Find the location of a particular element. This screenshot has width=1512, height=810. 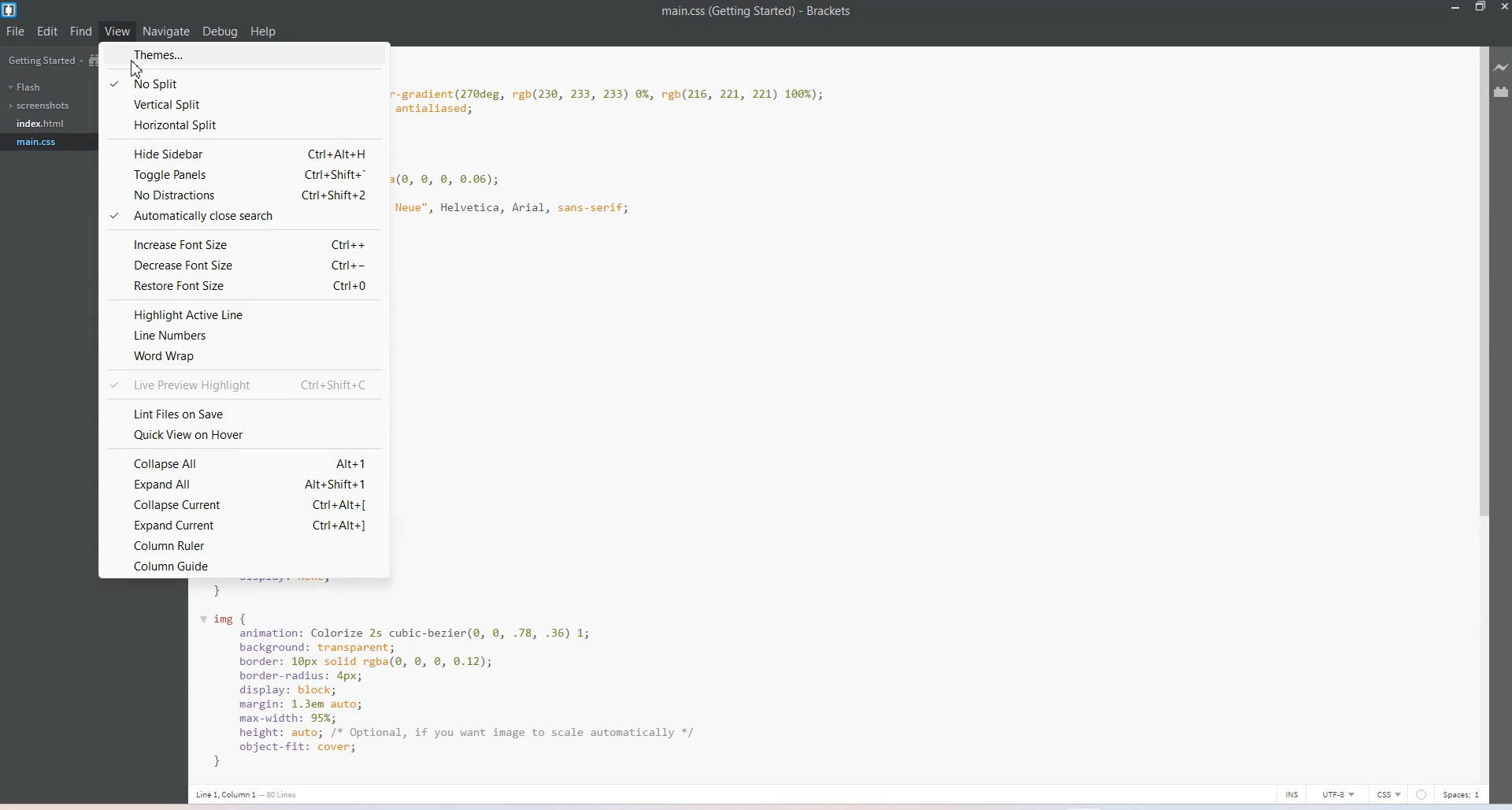

Line1,Column 1 is located at coordinates (246, 795).